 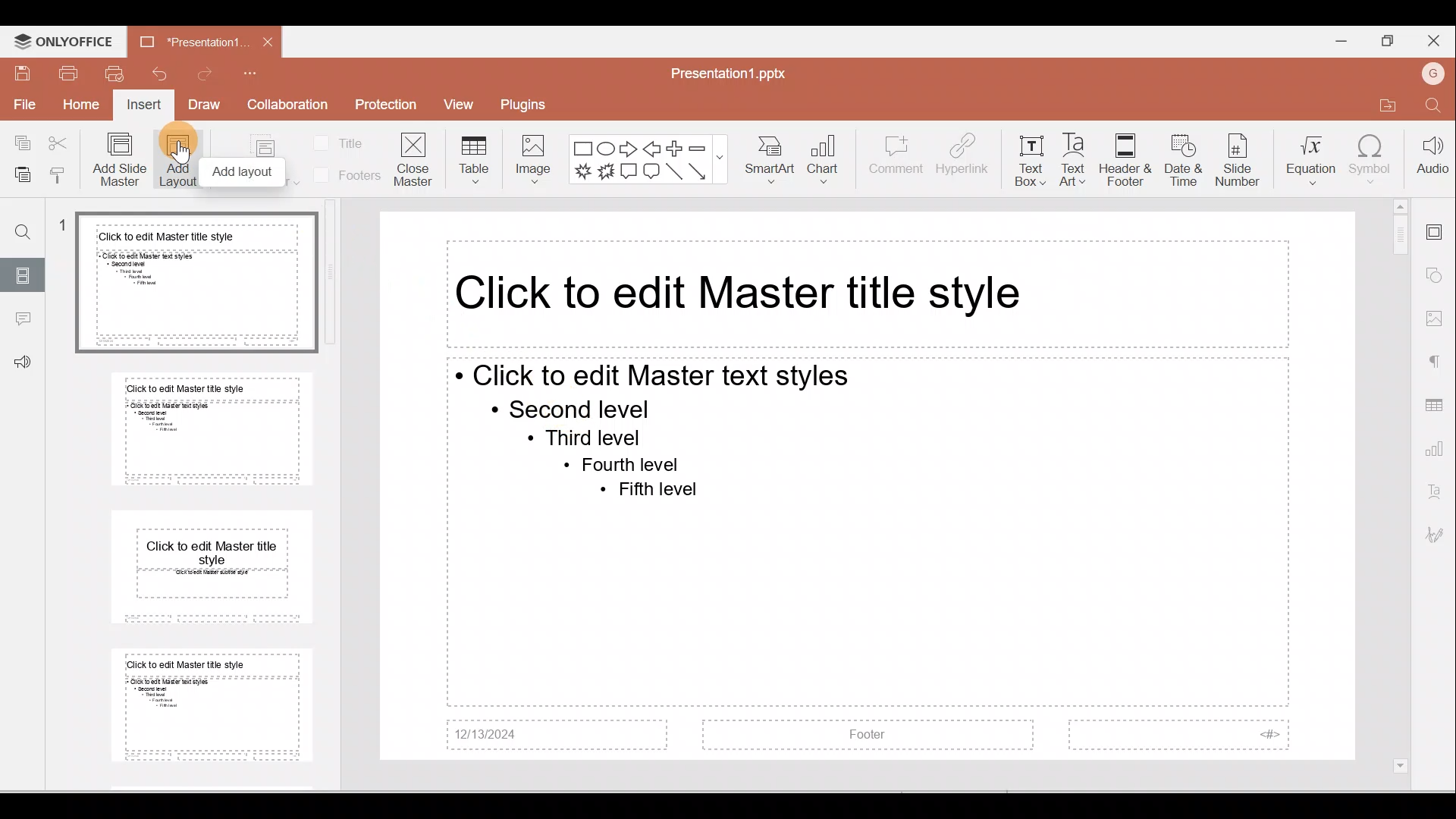 I want to click on Rounded Rectangular callout, so click(x=651, y=173).